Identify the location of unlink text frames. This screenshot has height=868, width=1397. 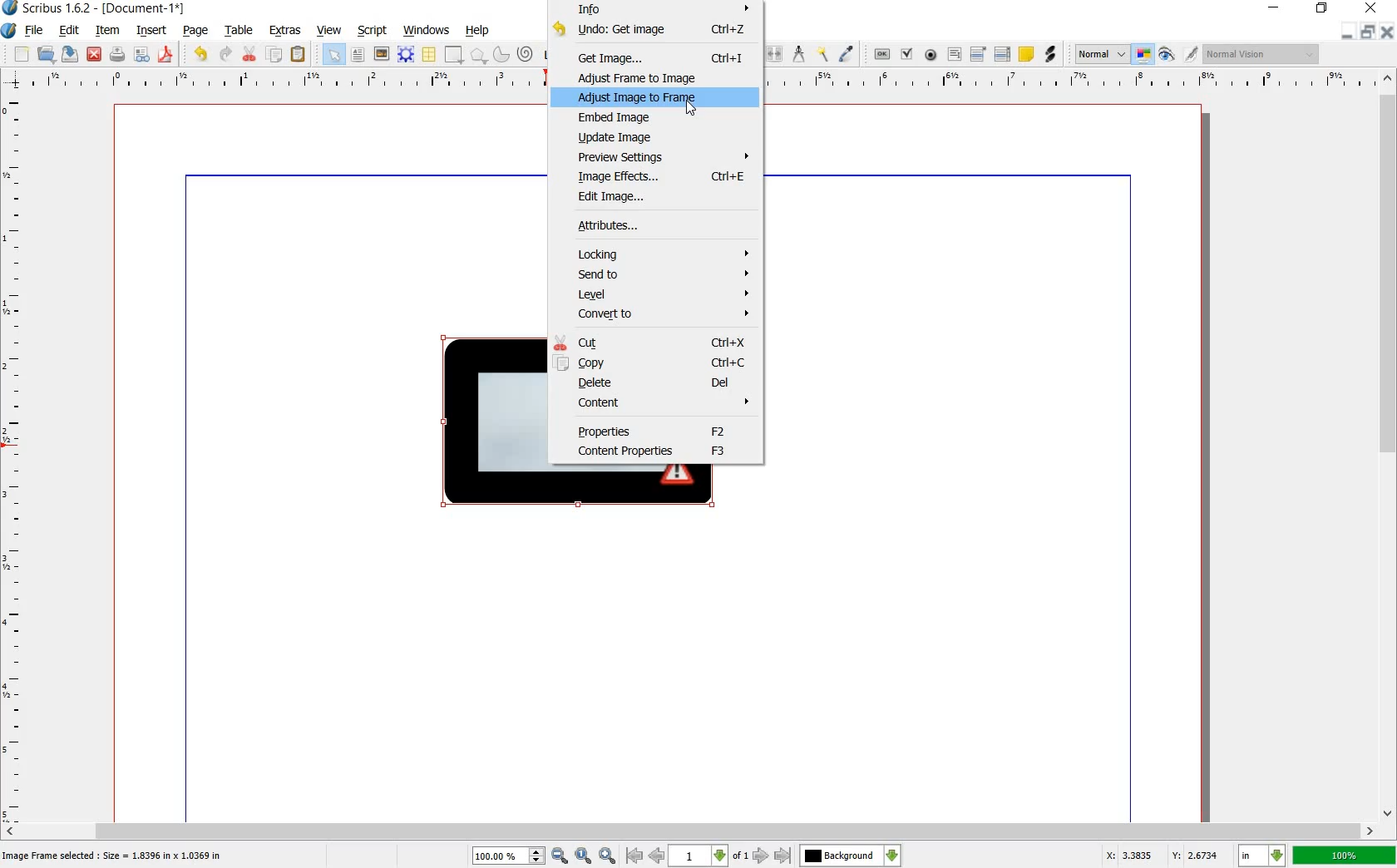
(776, 52).